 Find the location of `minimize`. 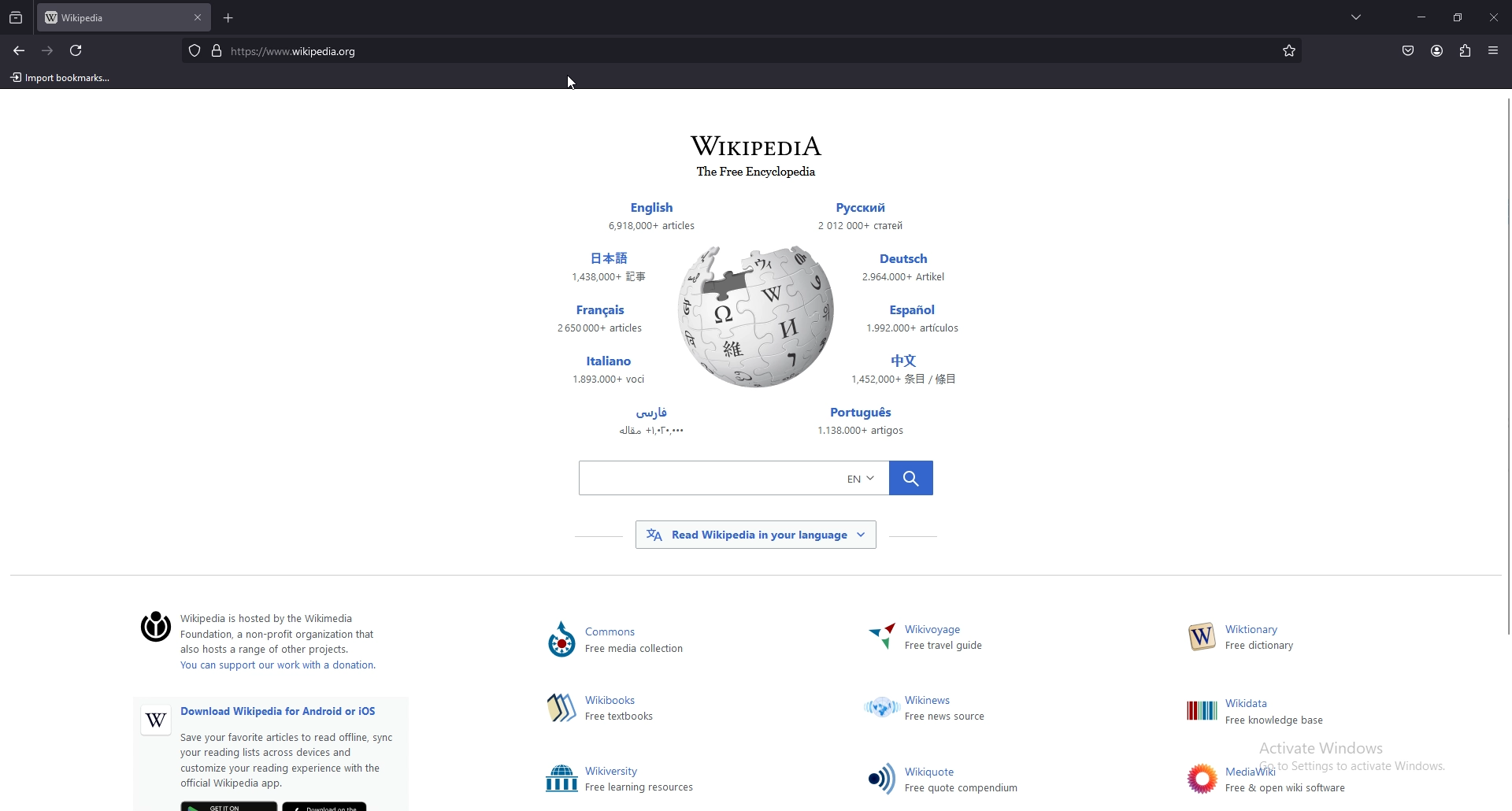

minimize is located at coordinates (1421, 17).